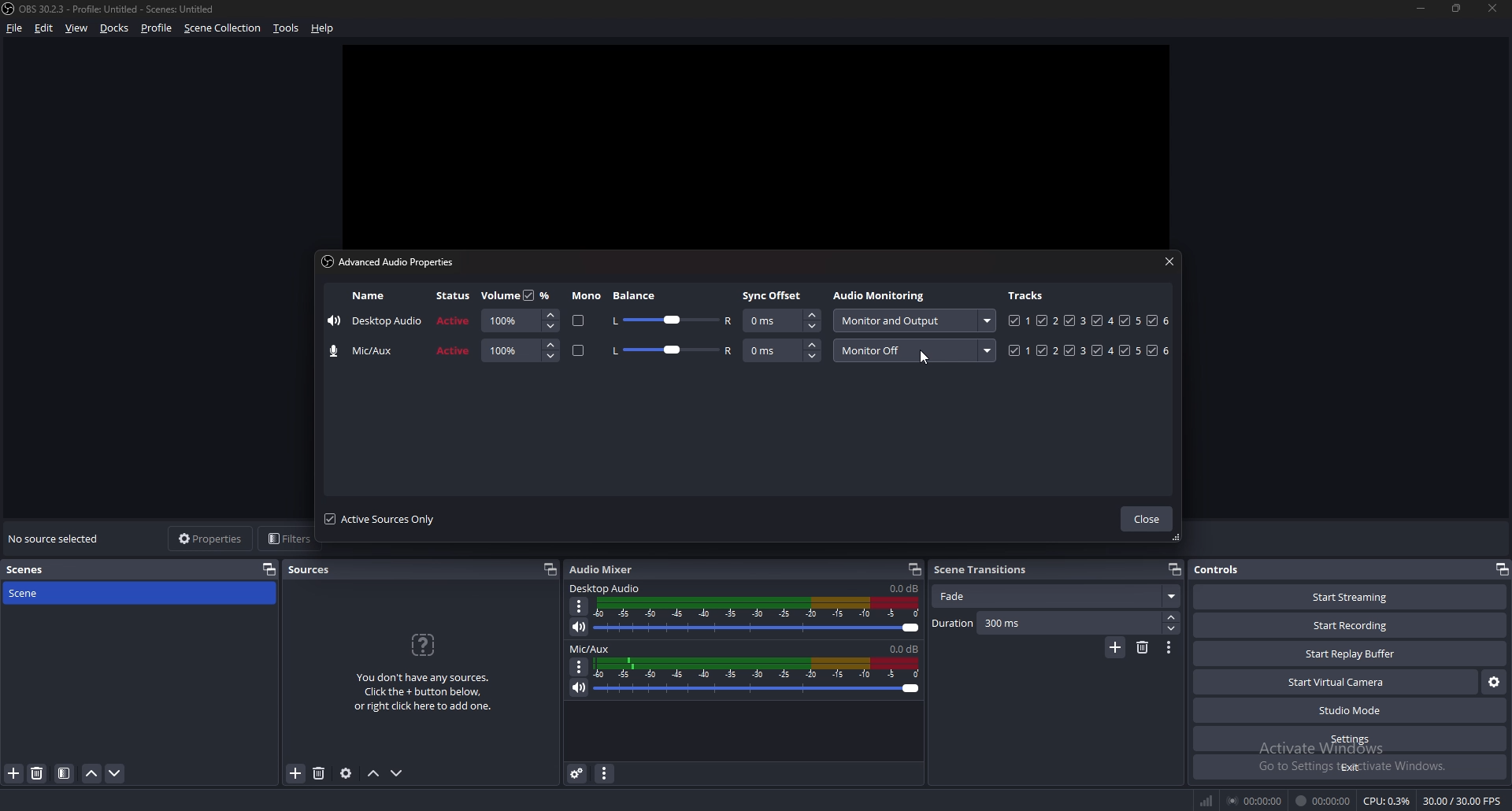 The height and width of the screenshot is (811, 1512). Describe the element at coordinates (287, 28) in the screenshot. I see `tools` at that location.